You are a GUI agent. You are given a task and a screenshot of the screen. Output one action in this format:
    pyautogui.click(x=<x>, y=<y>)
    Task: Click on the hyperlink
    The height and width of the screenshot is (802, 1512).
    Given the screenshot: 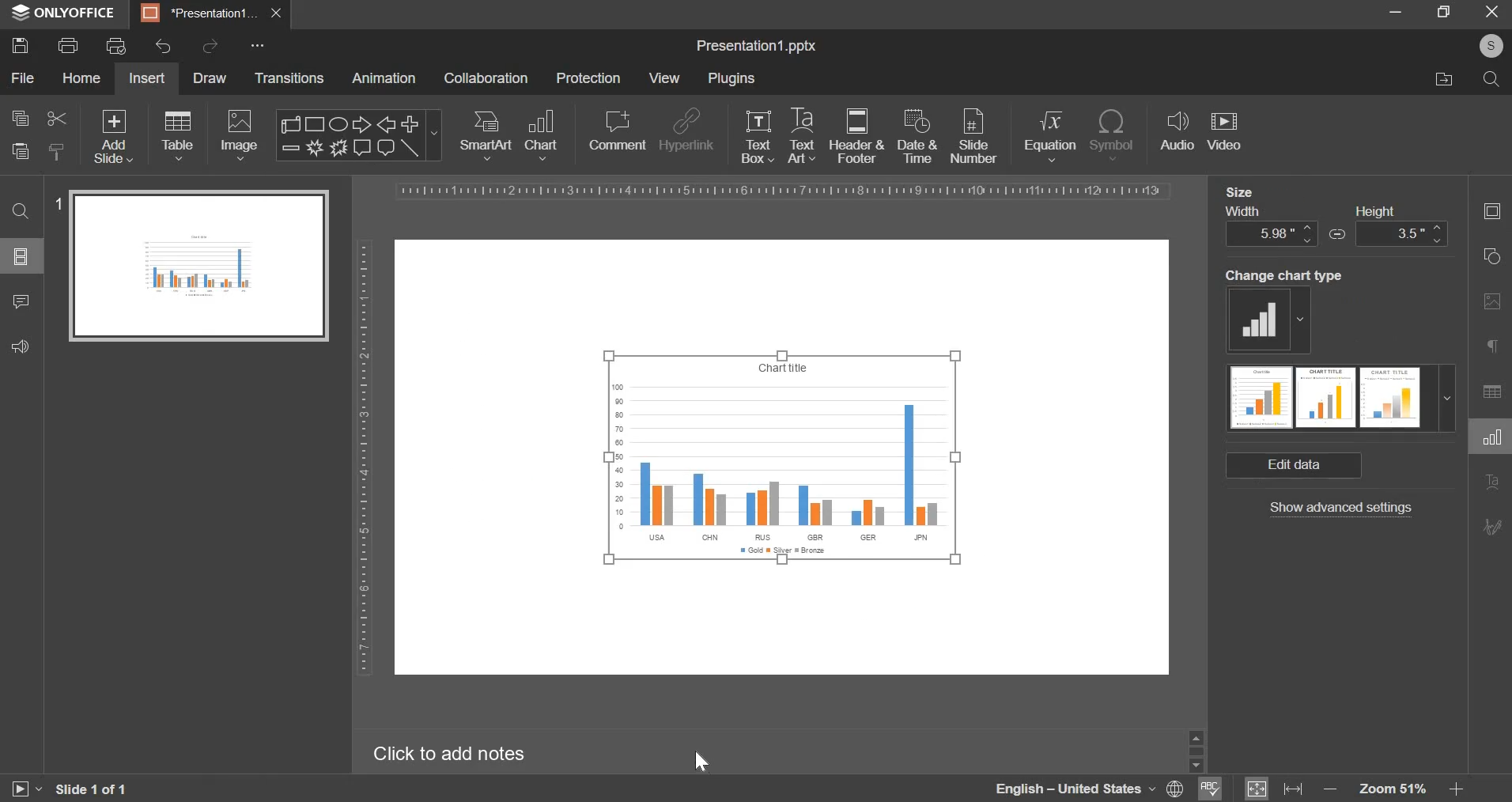 What is the action you would take?
    pyautogui.click(x=687, y=127)
    